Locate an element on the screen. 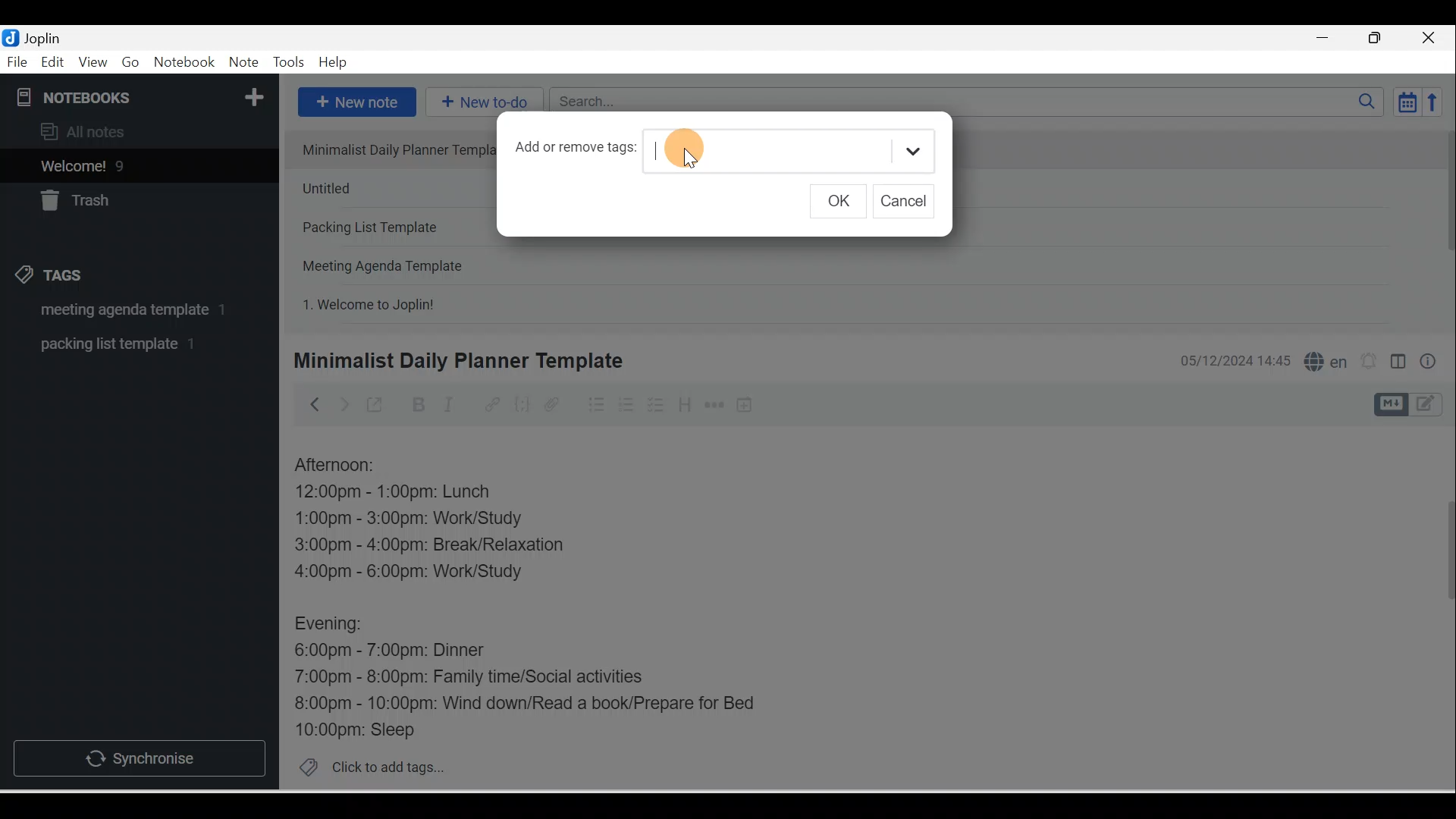 The image size is (1456, 819). Bulleted list is located at coordinates (593, 404).